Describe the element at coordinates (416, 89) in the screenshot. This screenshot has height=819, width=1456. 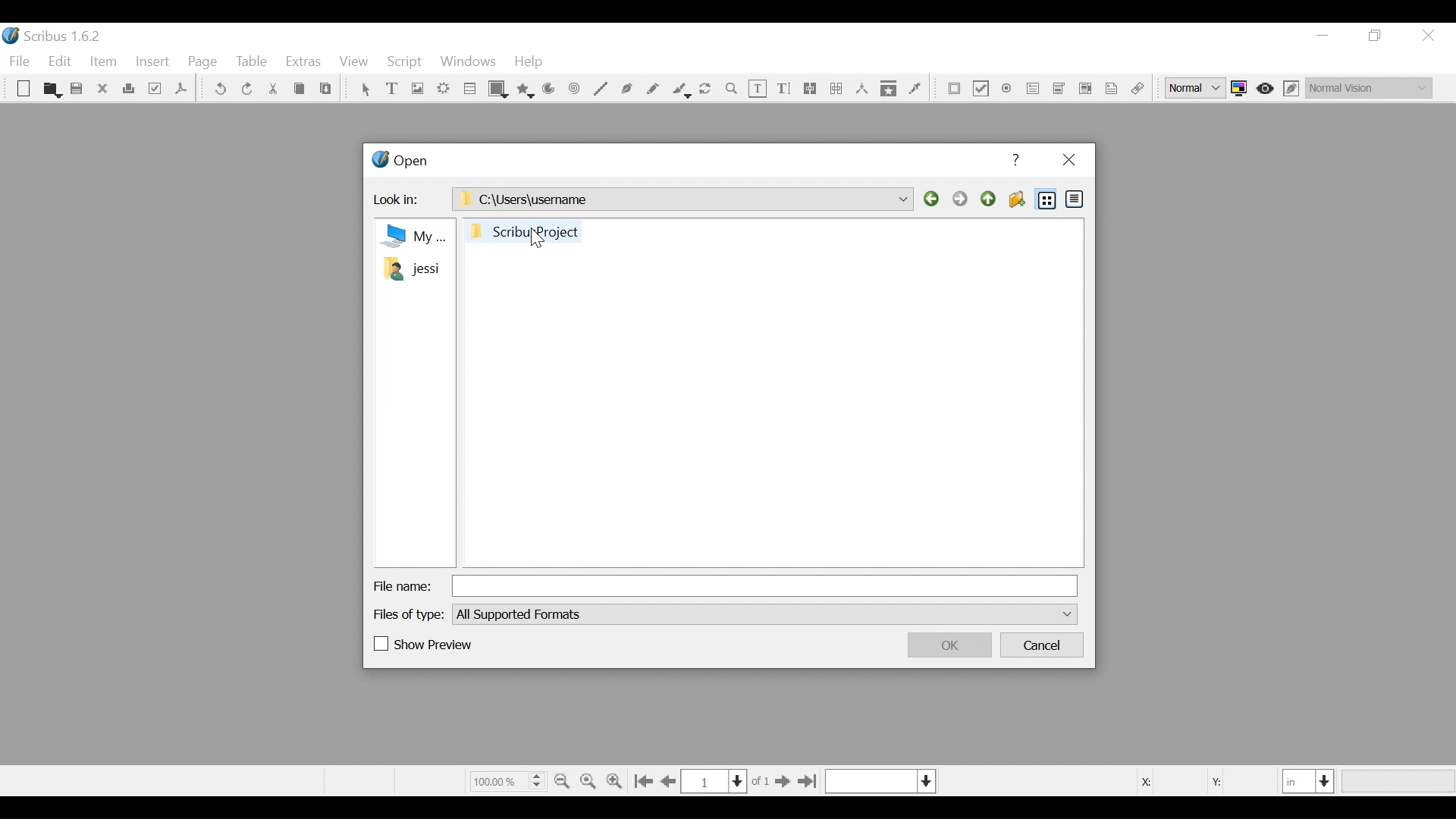
I see `Image Frame` at that location.